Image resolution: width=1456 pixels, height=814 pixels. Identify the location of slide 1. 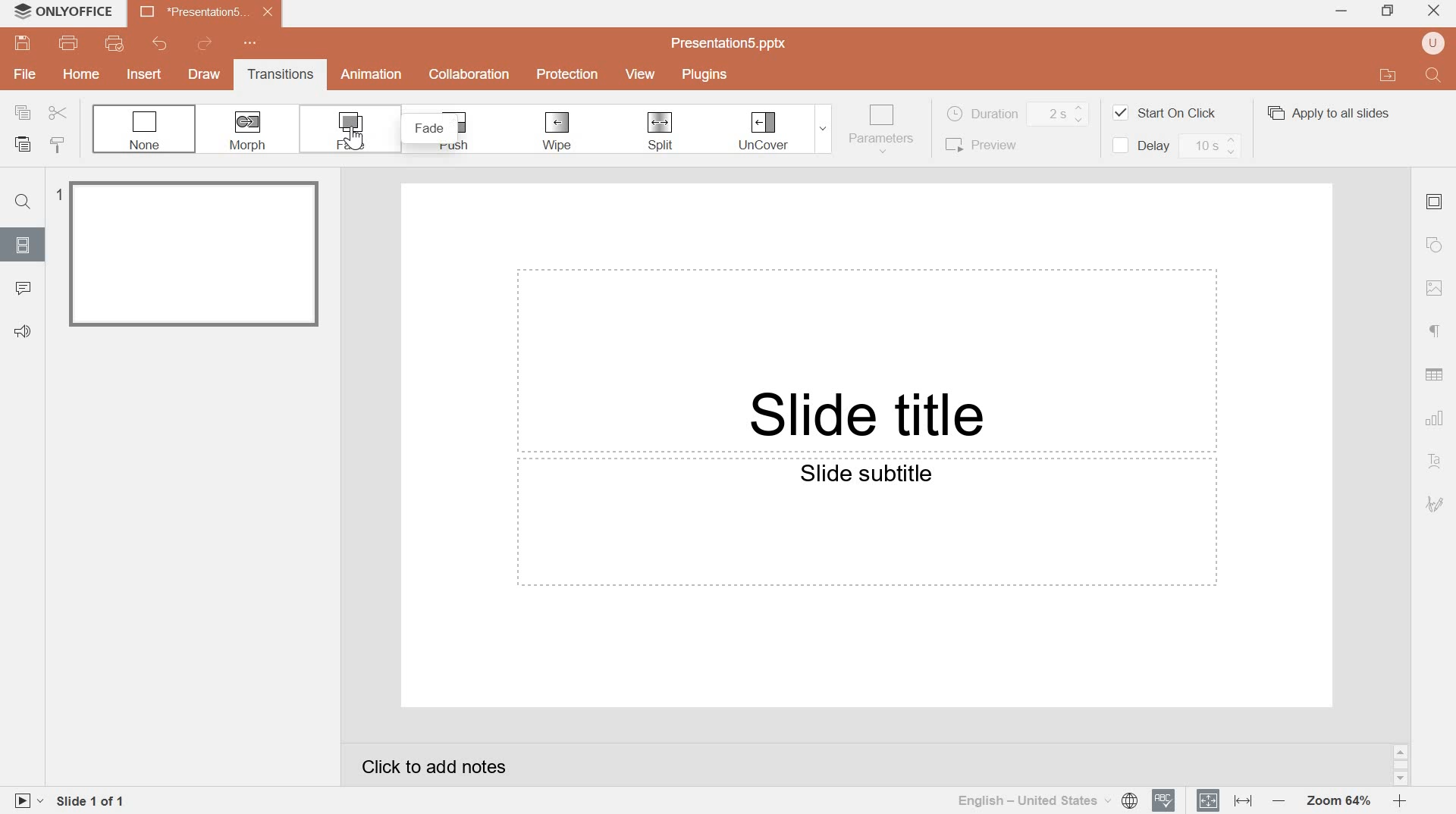
(196, 254).